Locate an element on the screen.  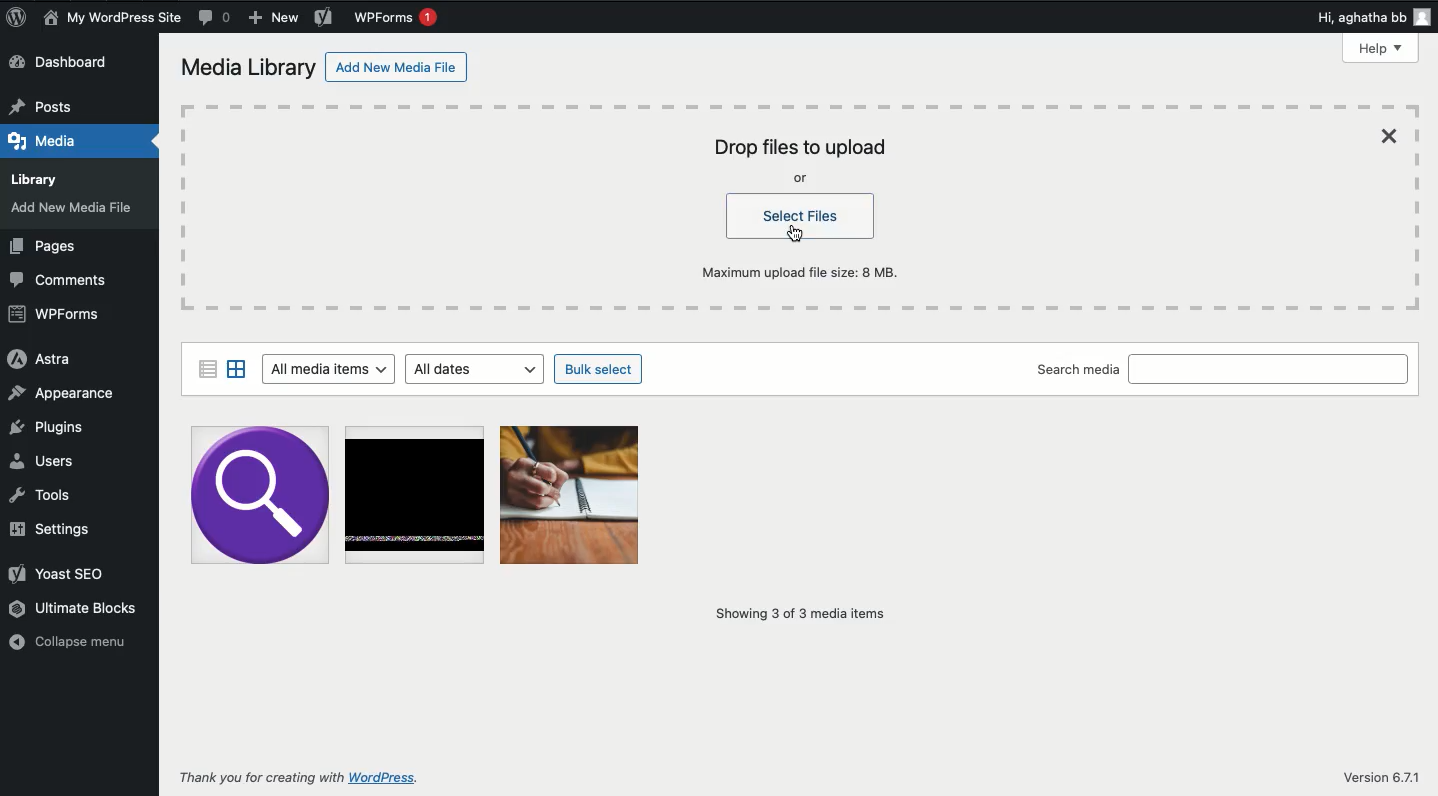
Pages is located at coordinates (47, 248).